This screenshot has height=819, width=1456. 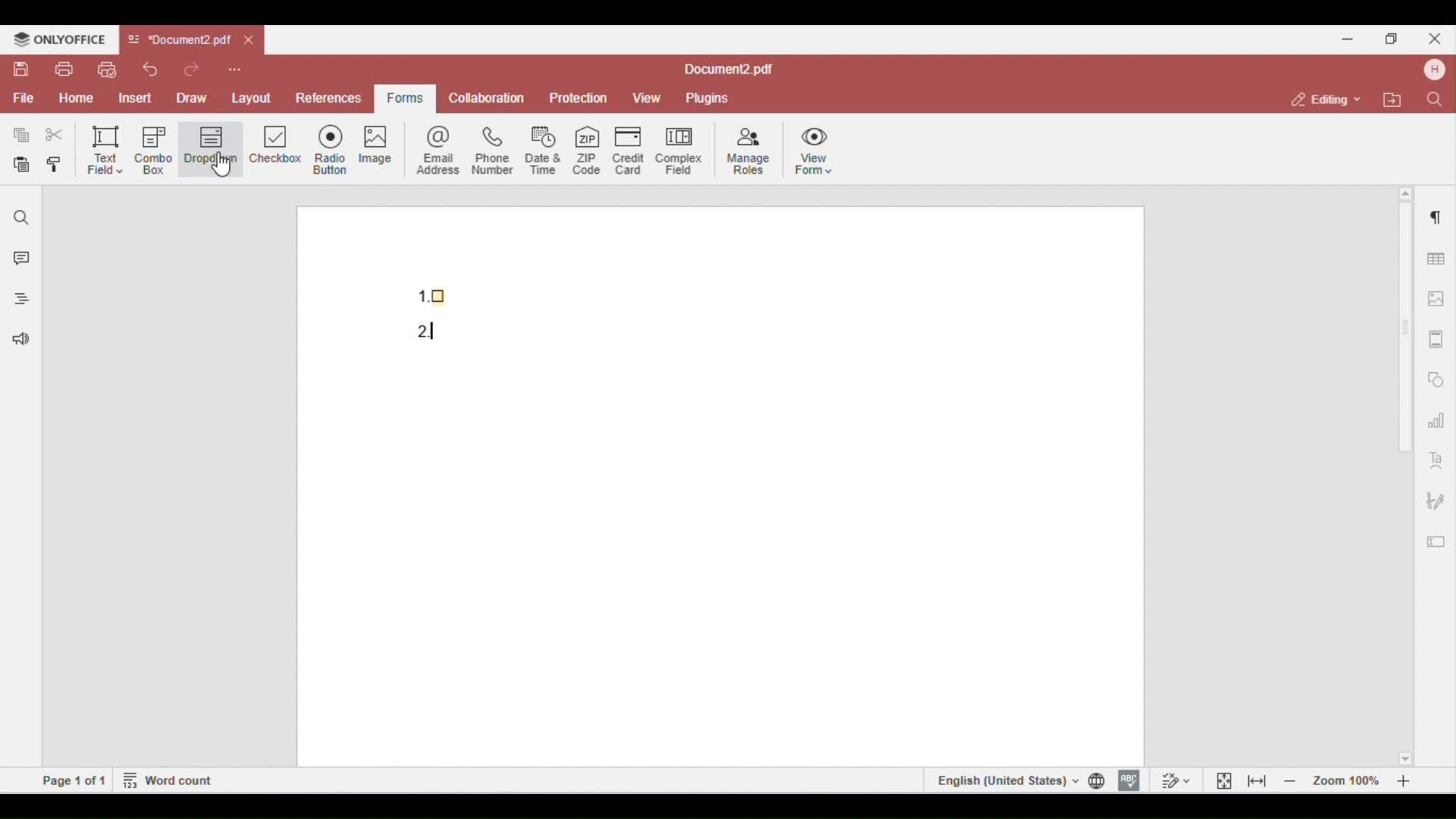 What do you see at coordinates (106, 70) in the screenshot?
I see `print preview` at bounding box center [106, 70].